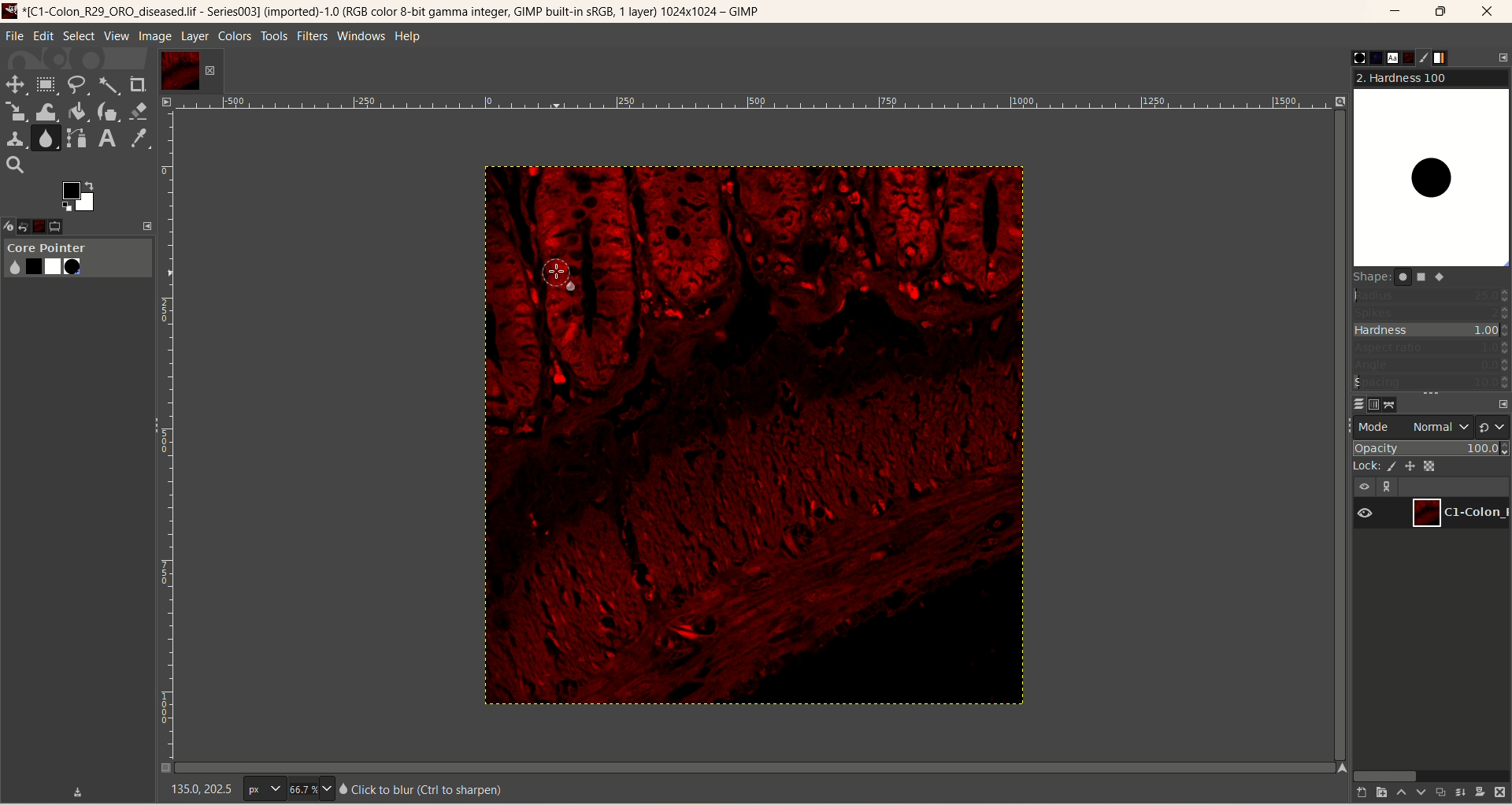  What do you see at coordinates (1432, 365) in the screenshot?
I see `angle` at bounding box center [1432, 365].